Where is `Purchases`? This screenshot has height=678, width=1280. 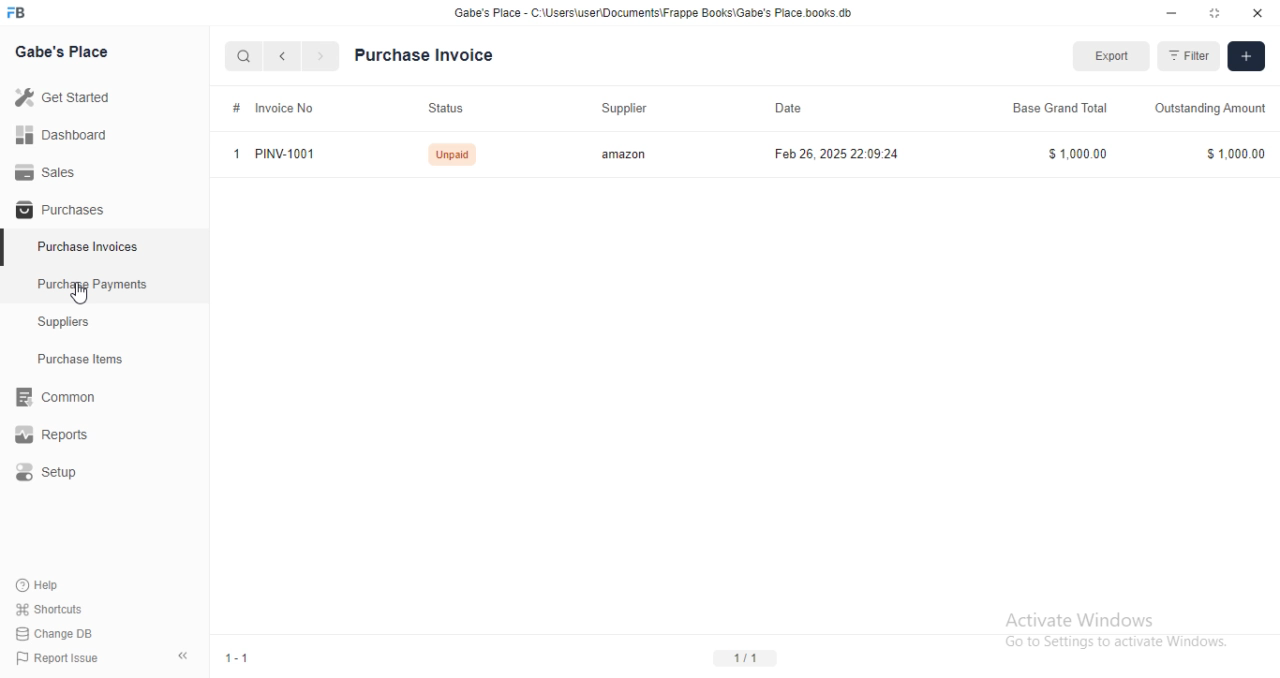
Purchases is located at coordinates (57, 211).